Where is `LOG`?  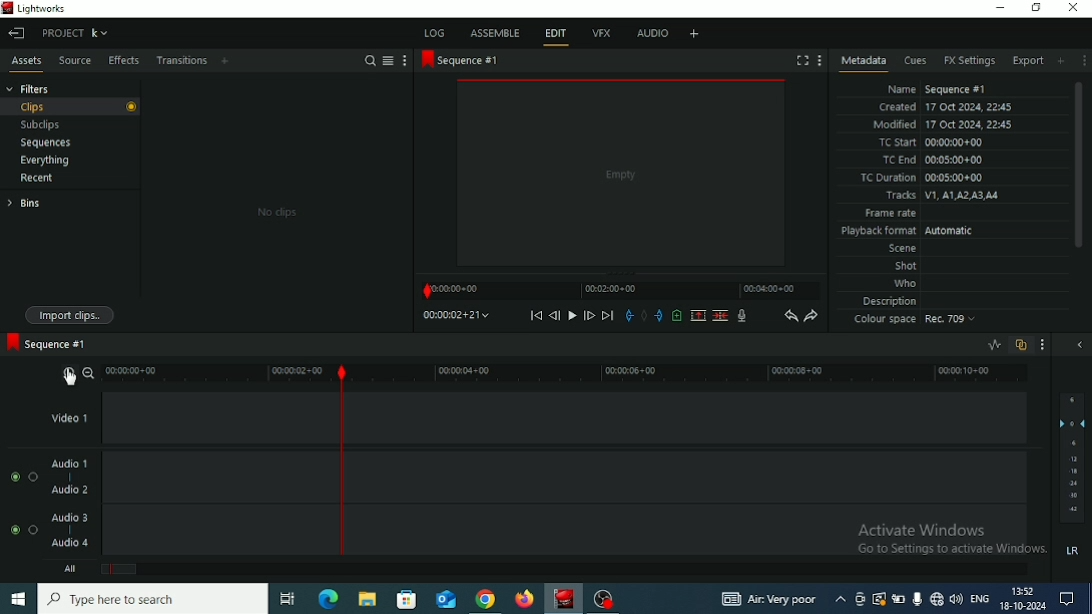 LOG is located at coordinates (433, 32).